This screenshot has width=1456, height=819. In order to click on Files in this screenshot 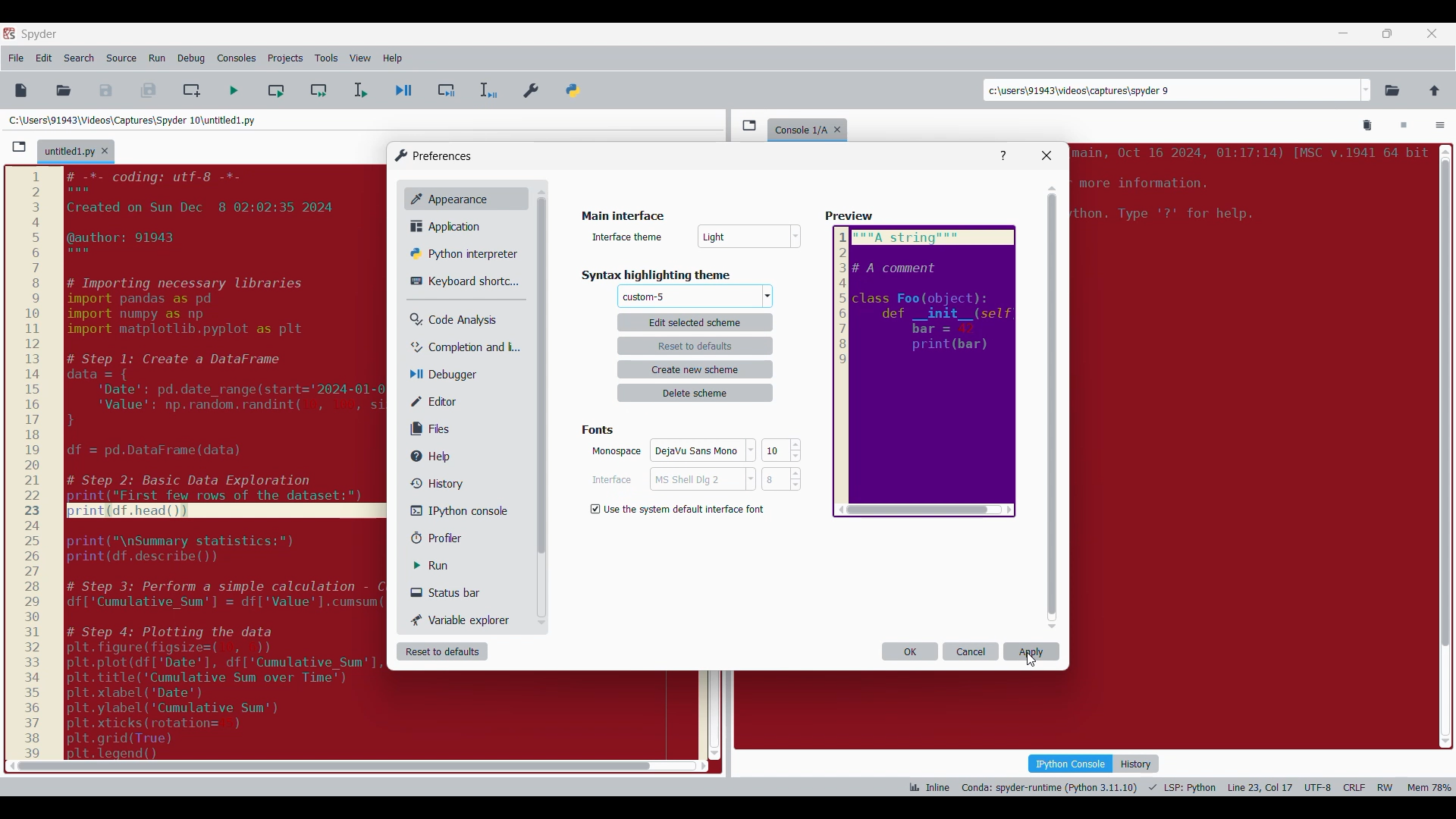, I will do `click(434, 428)`.